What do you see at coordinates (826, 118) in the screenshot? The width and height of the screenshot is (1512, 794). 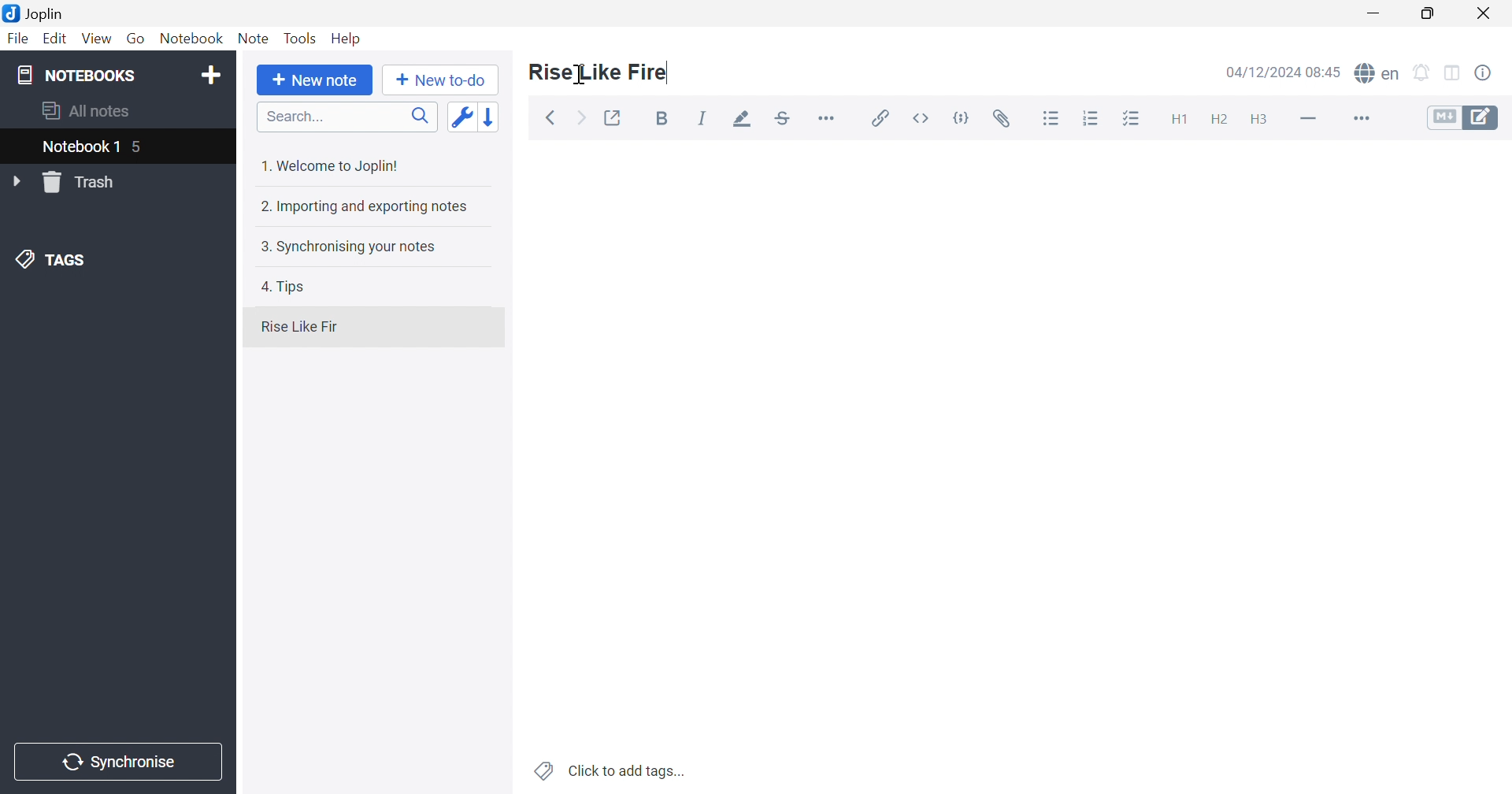 I see `Horizontal` at bounding box center [826, 118].